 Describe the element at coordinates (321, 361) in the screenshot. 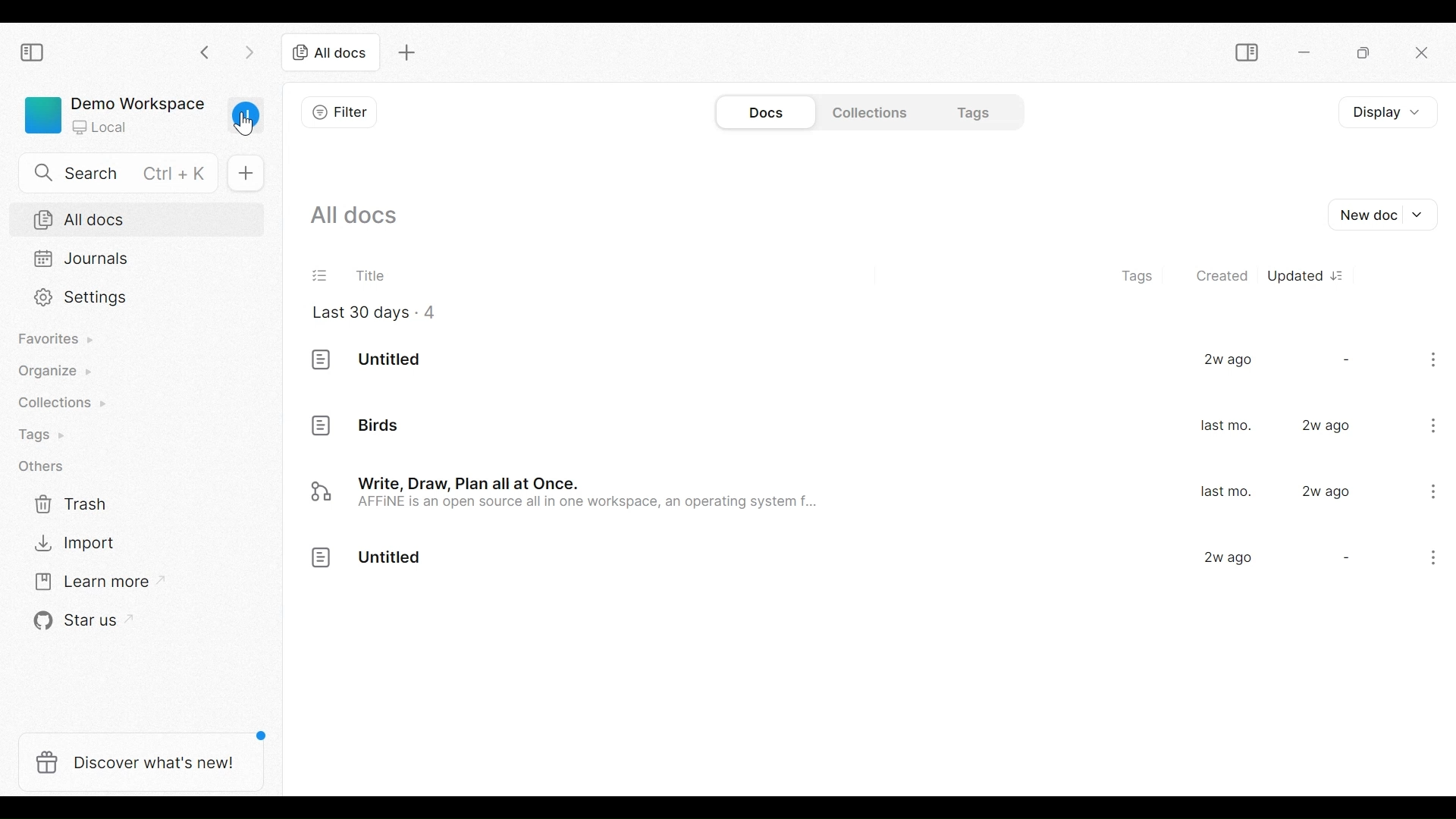

I see `icon` at that location.